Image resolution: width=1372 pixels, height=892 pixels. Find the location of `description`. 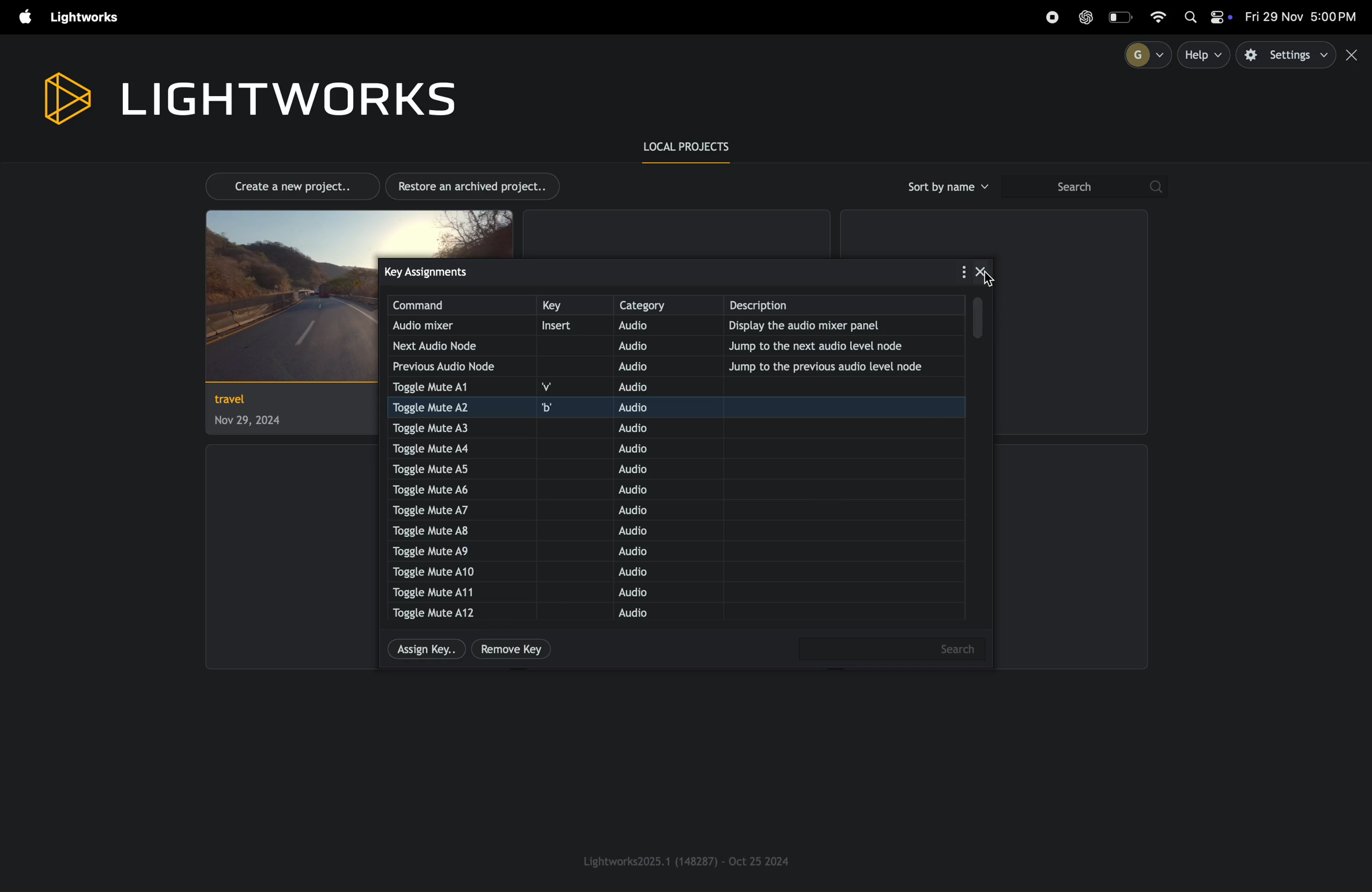

description is located at coordinates (849, 305).